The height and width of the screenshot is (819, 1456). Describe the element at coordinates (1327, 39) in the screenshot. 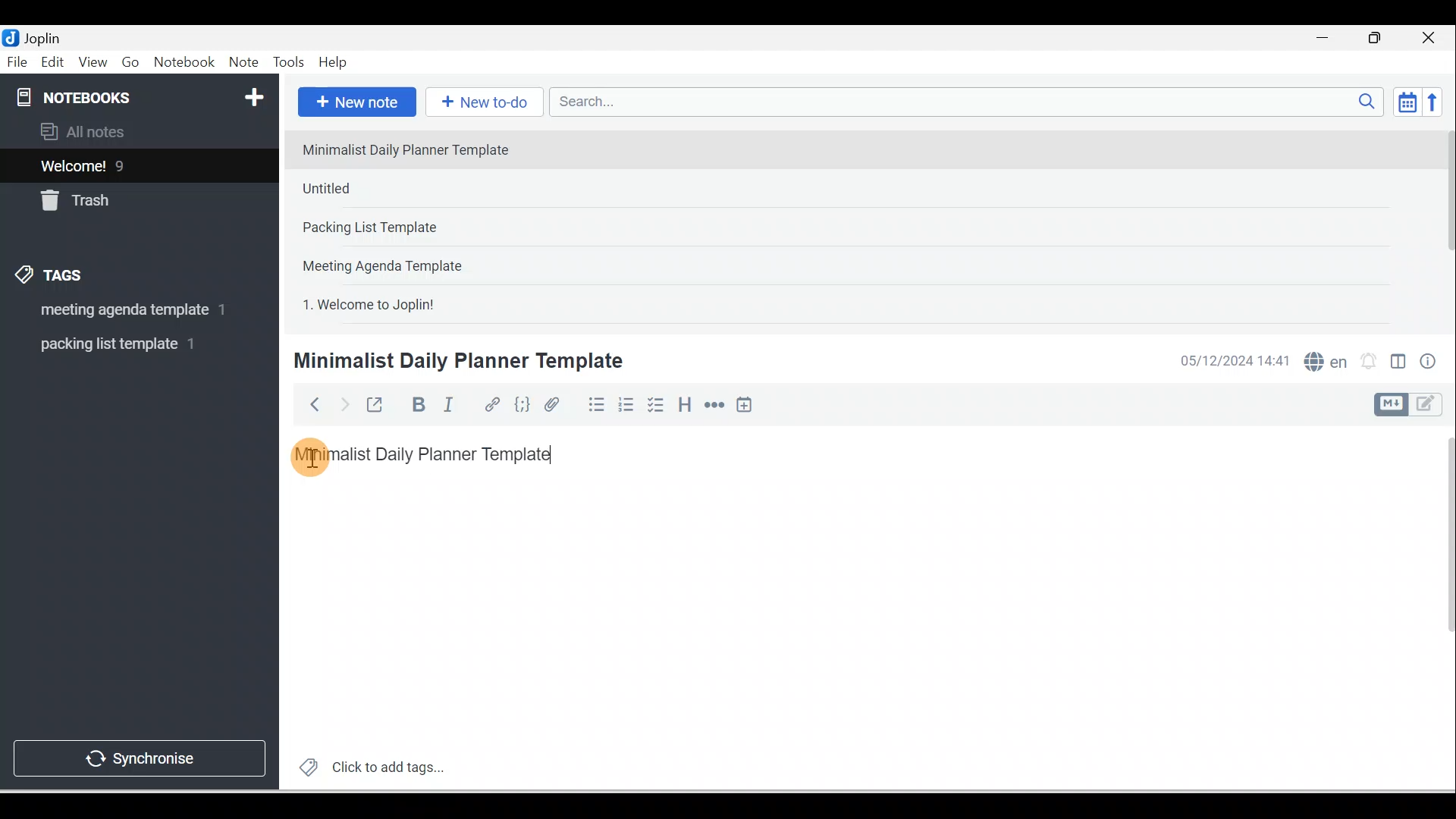

I see `Minimise` at that location.